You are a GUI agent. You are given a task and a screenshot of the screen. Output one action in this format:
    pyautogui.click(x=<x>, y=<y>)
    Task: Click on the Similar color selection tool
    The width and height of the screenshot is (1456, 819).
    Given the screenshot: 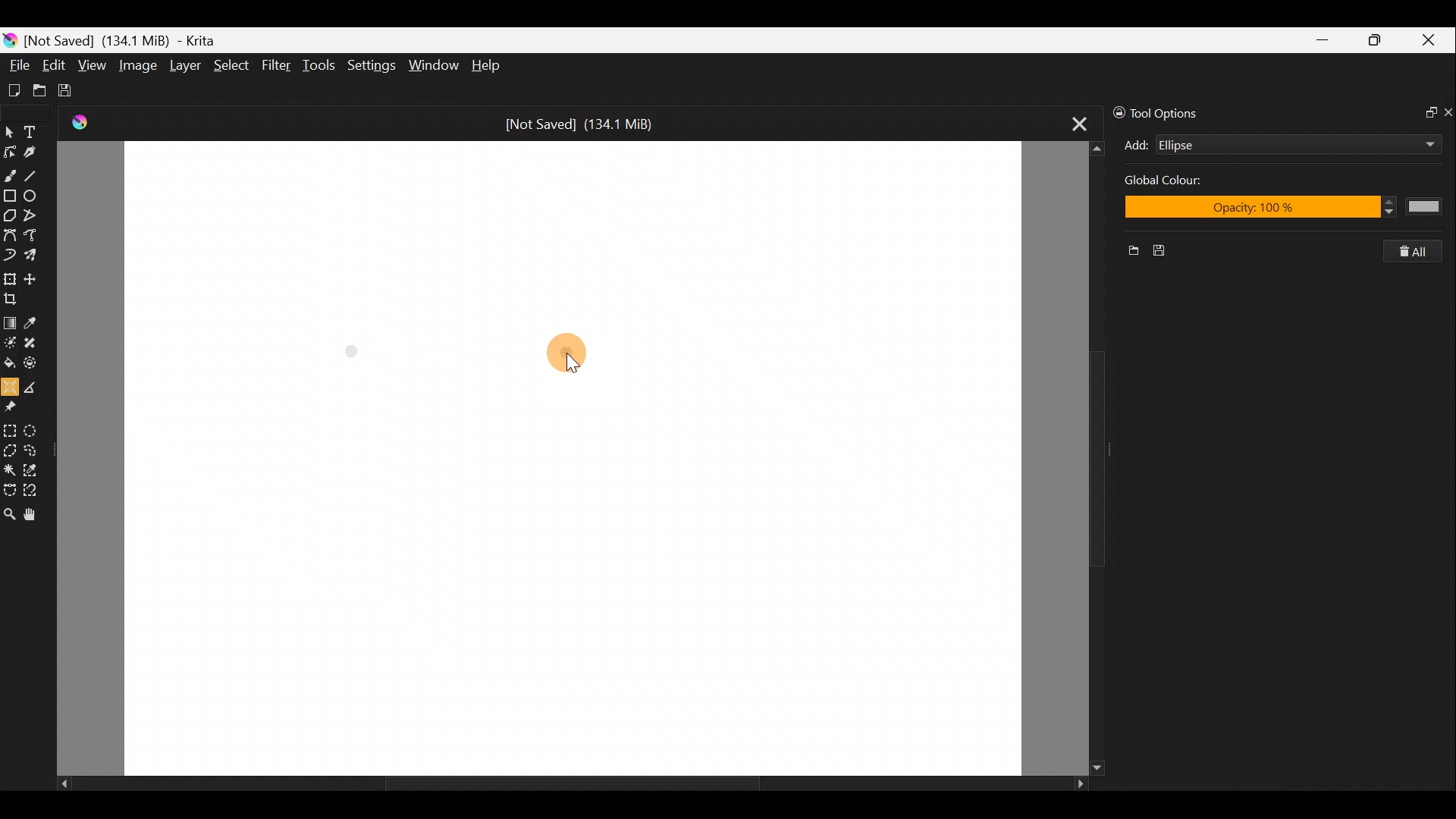 What is the action you would take?
    pyautogui.click(x=37, y=468)
    